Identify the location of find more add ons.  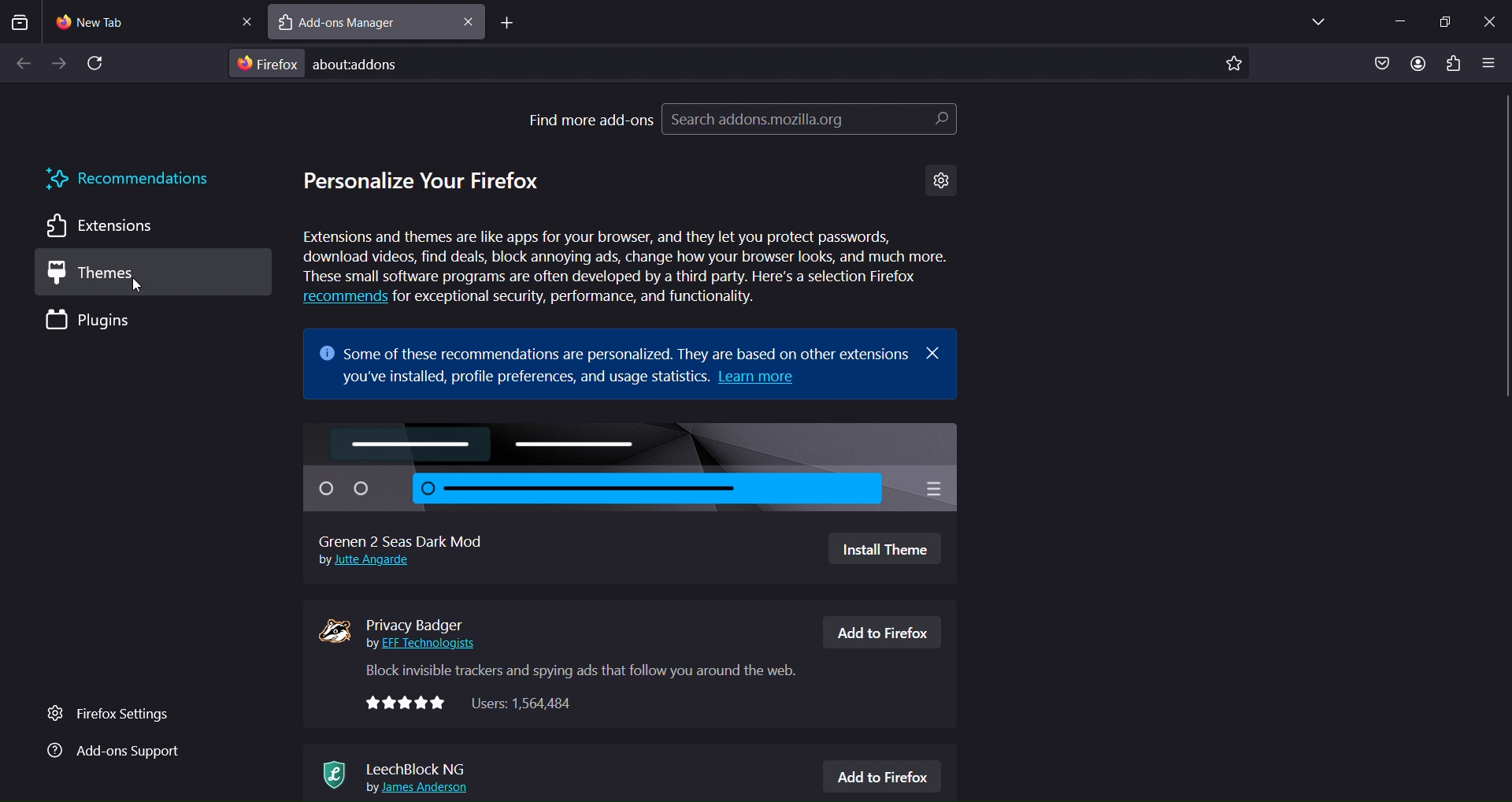
(582, 121).